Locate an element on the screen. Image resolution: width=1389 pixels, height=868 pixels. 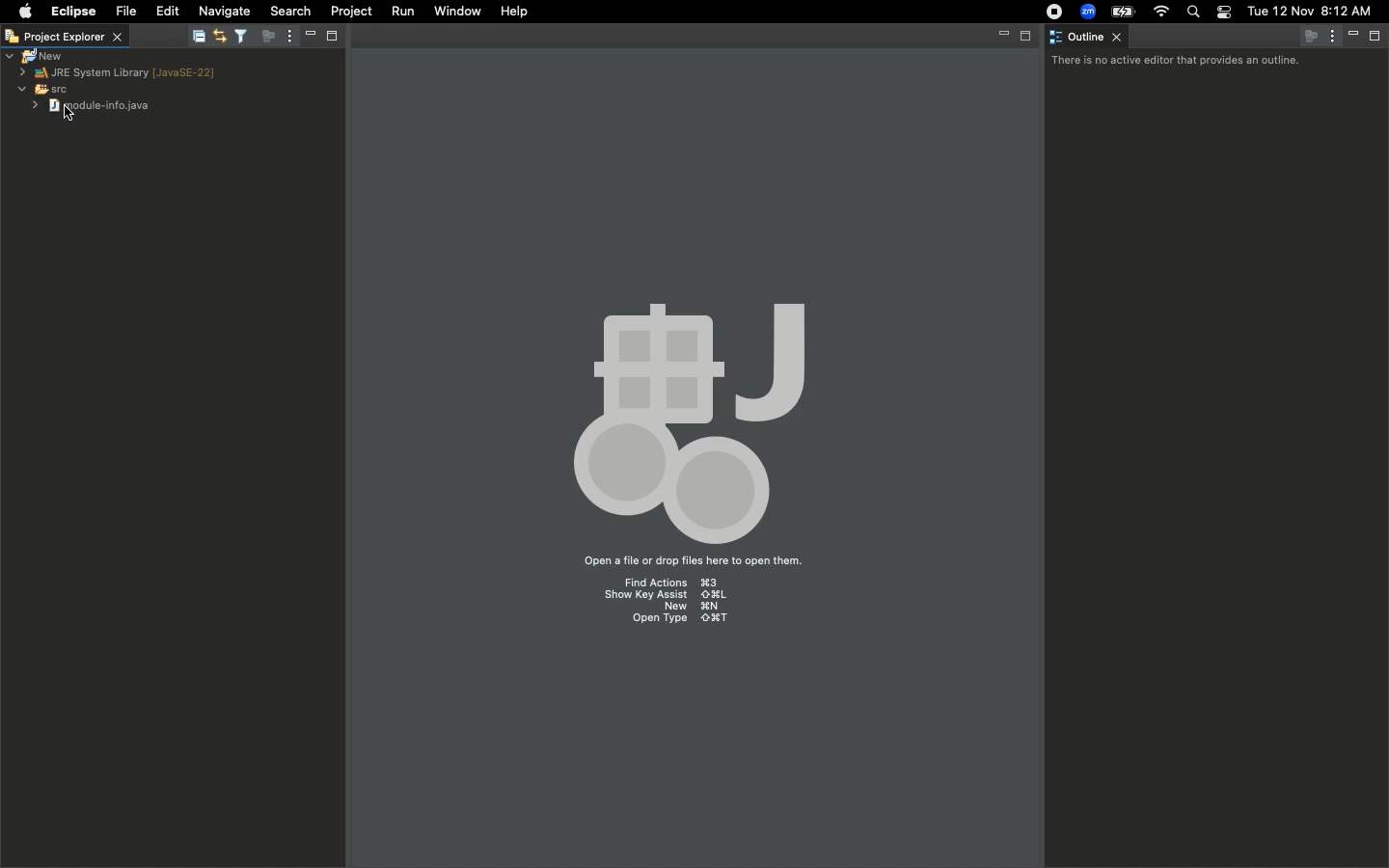
Focus  is located at coordinates (263, 37).